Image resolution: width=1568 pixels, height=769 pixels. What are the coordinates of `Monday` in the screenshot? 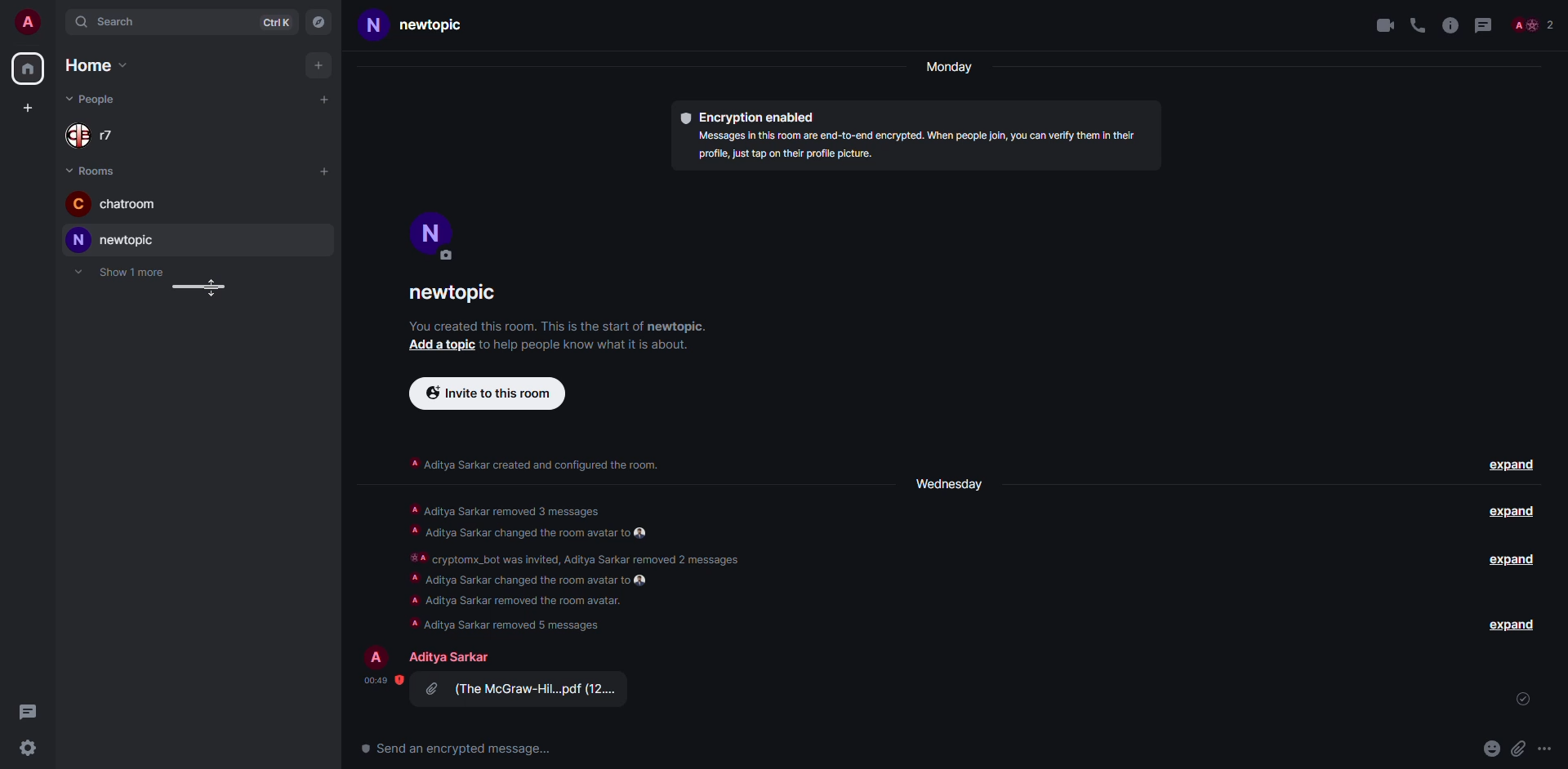 It's located at (946, 69).